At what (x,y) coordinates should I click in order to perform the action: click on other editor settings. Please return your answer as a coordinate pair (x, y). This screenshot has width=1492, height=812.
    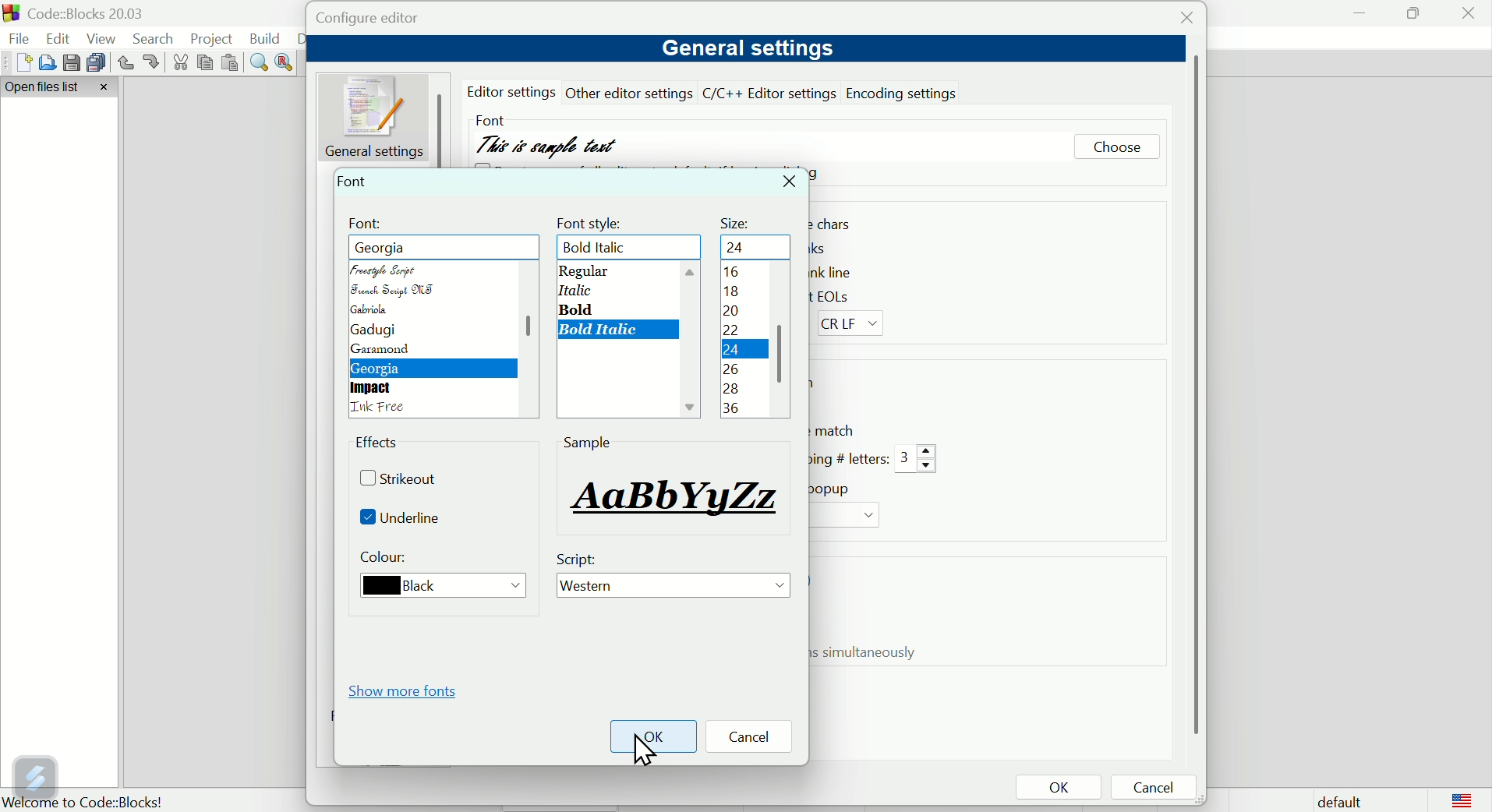
    Looking at the image, I should click on (631, 93).